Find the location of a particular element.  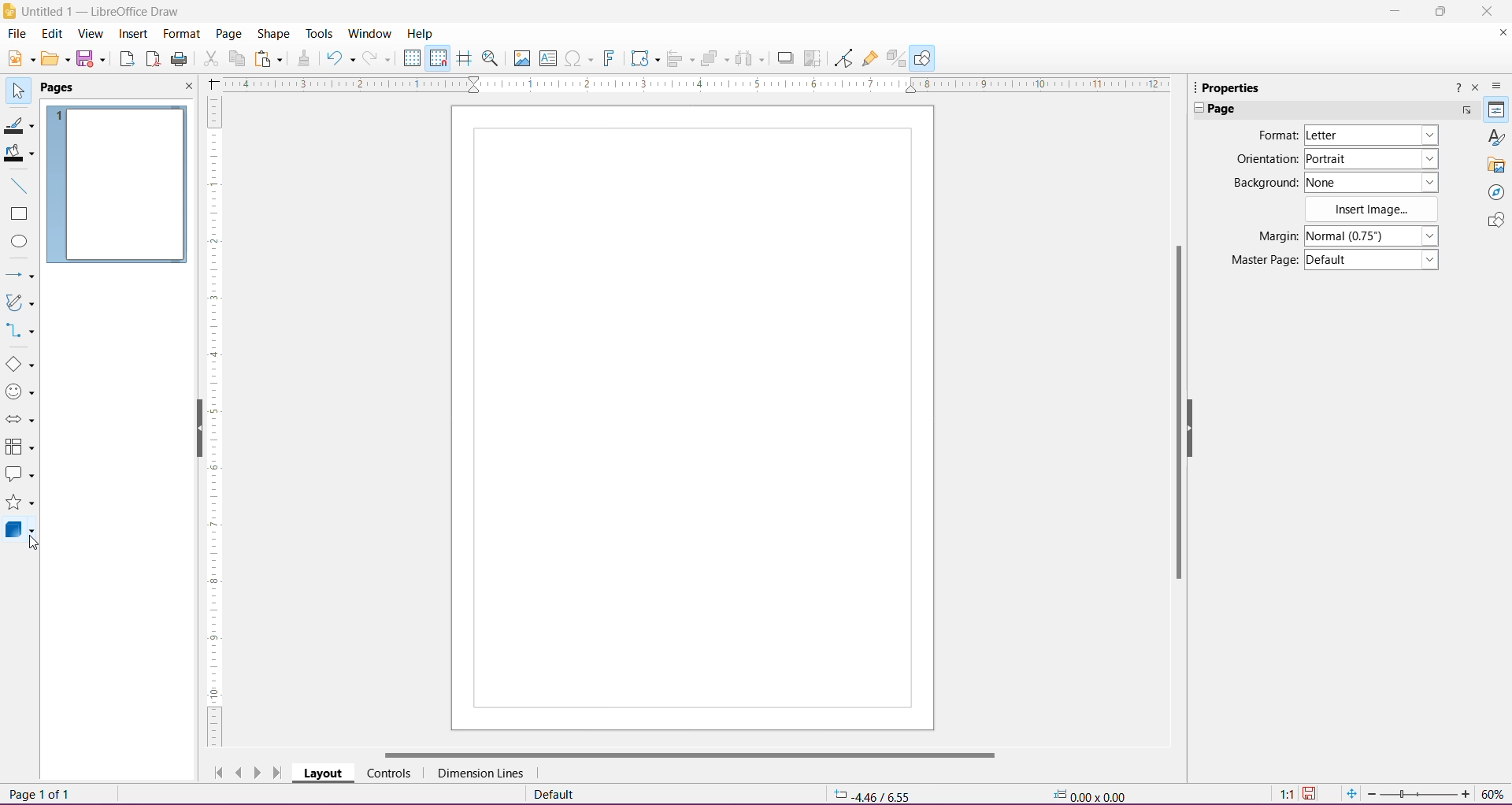

Select Item is located at coordinates (18, 89).